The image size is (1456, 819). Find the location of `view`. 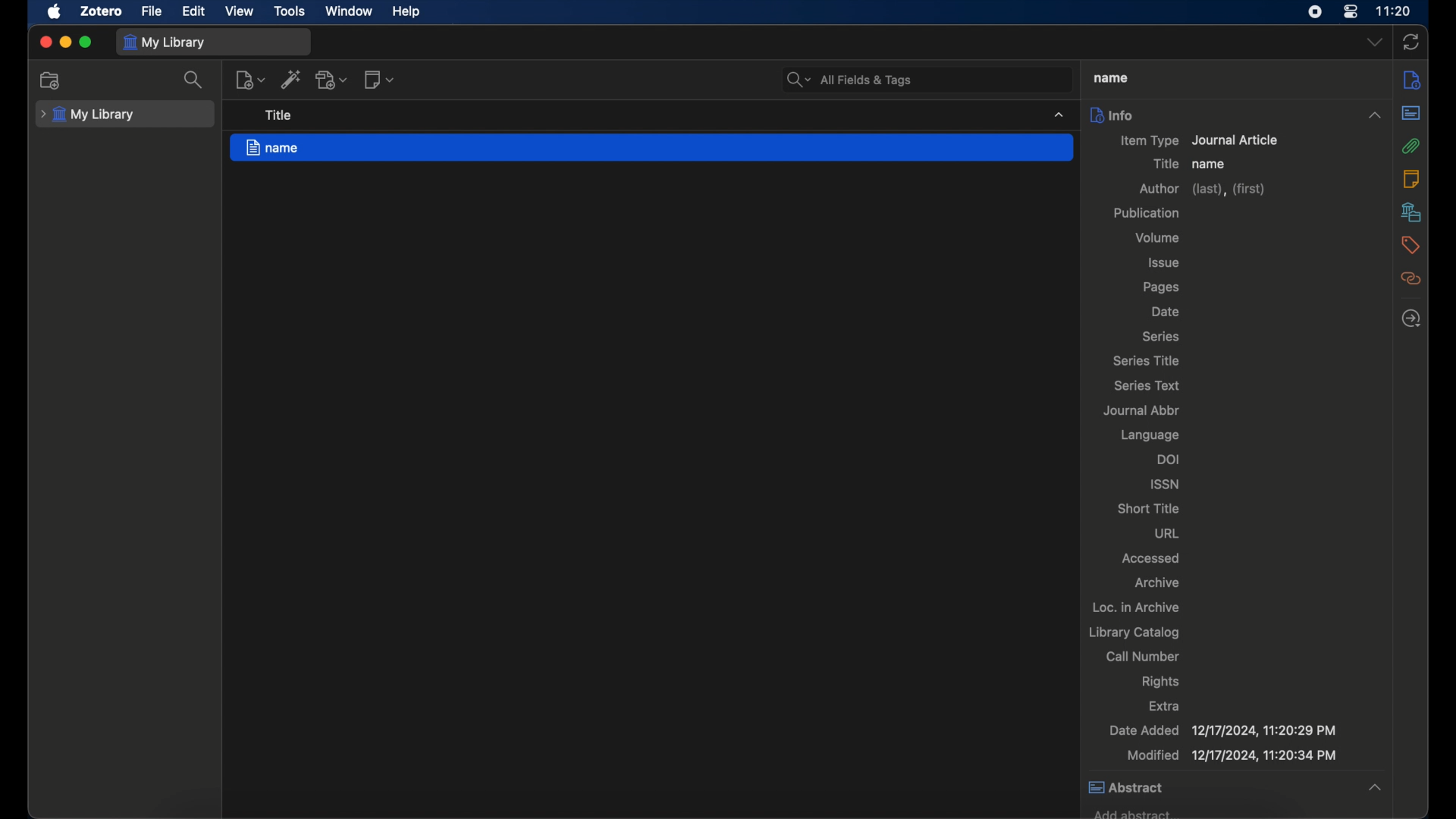

view is located at coordinates (240, 11).